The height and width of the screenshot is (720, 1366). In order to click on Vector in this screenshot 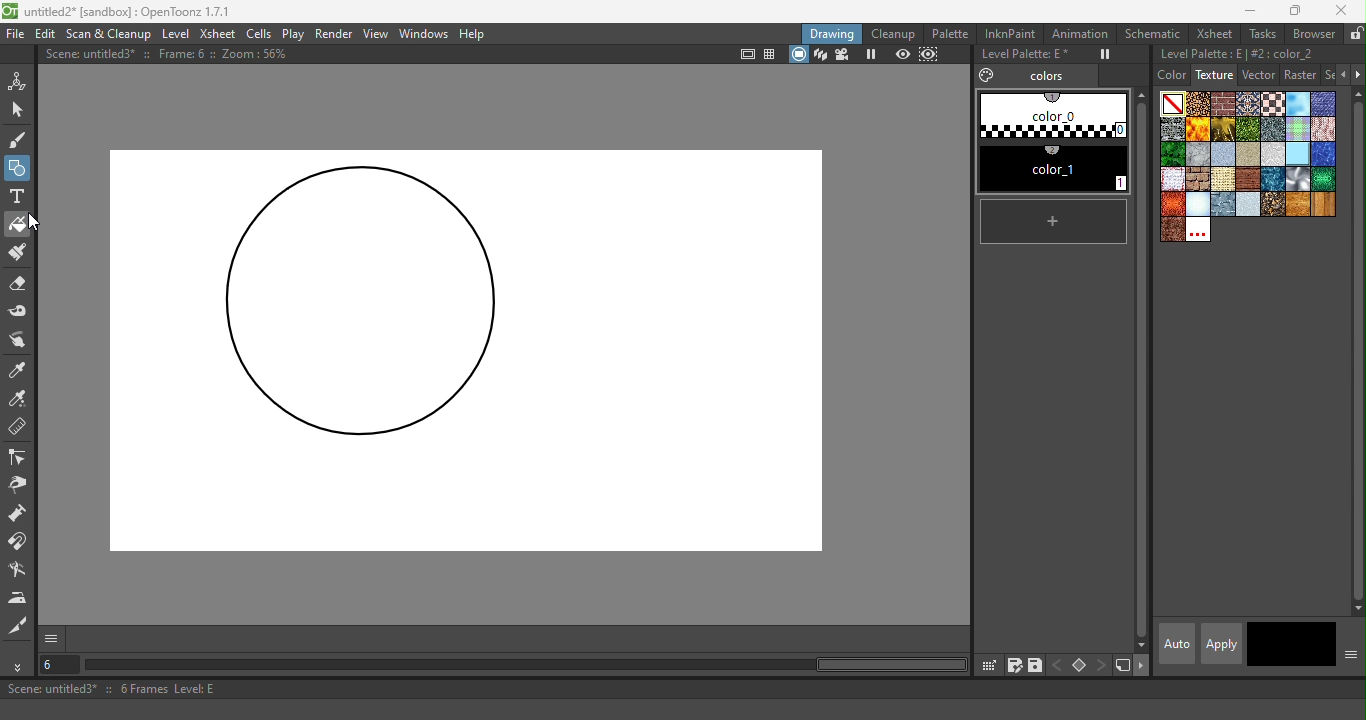, I will do `click(1259, 75)`.